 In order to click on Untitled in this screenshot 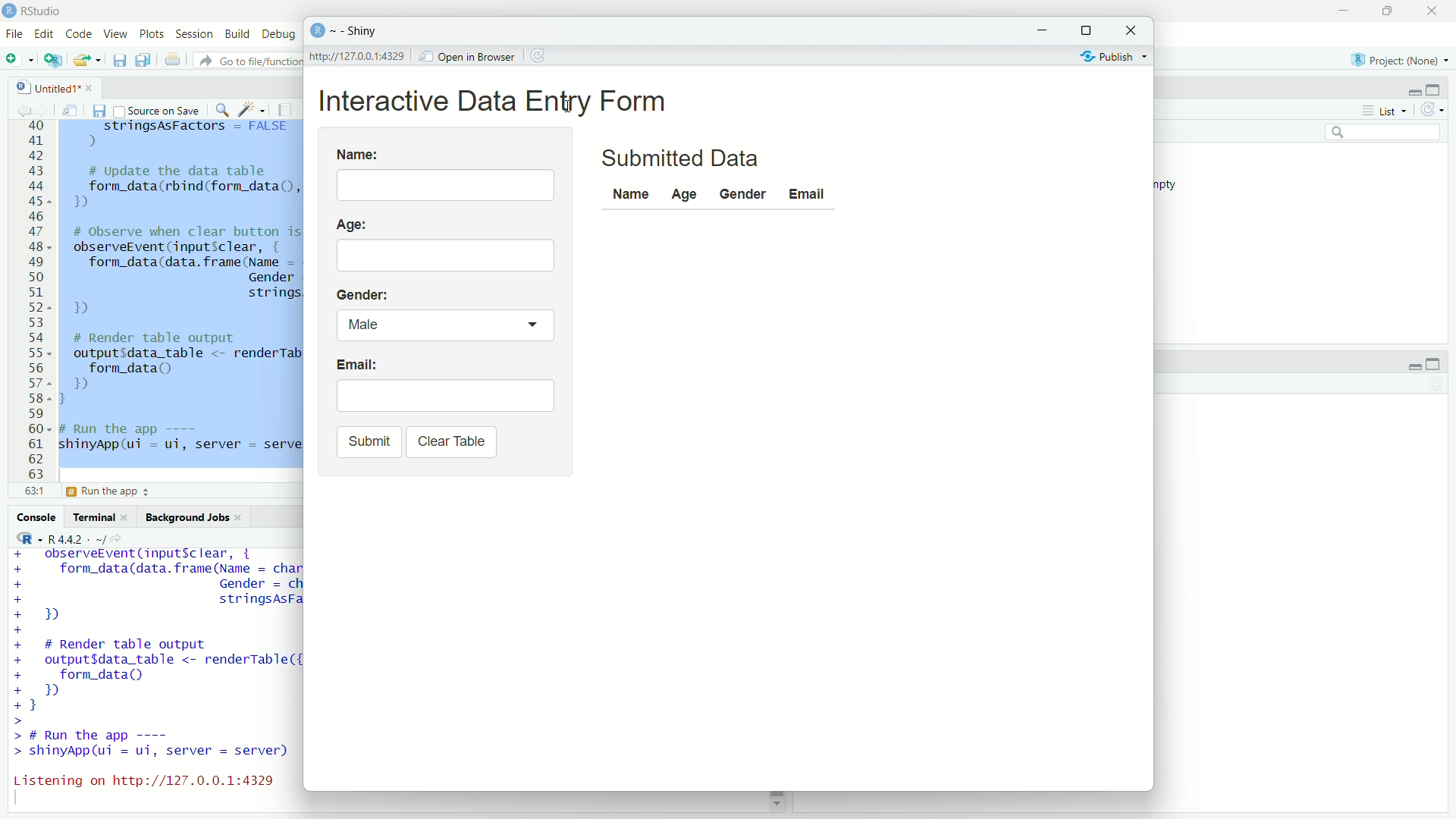, I will do `click(40, 85)`.